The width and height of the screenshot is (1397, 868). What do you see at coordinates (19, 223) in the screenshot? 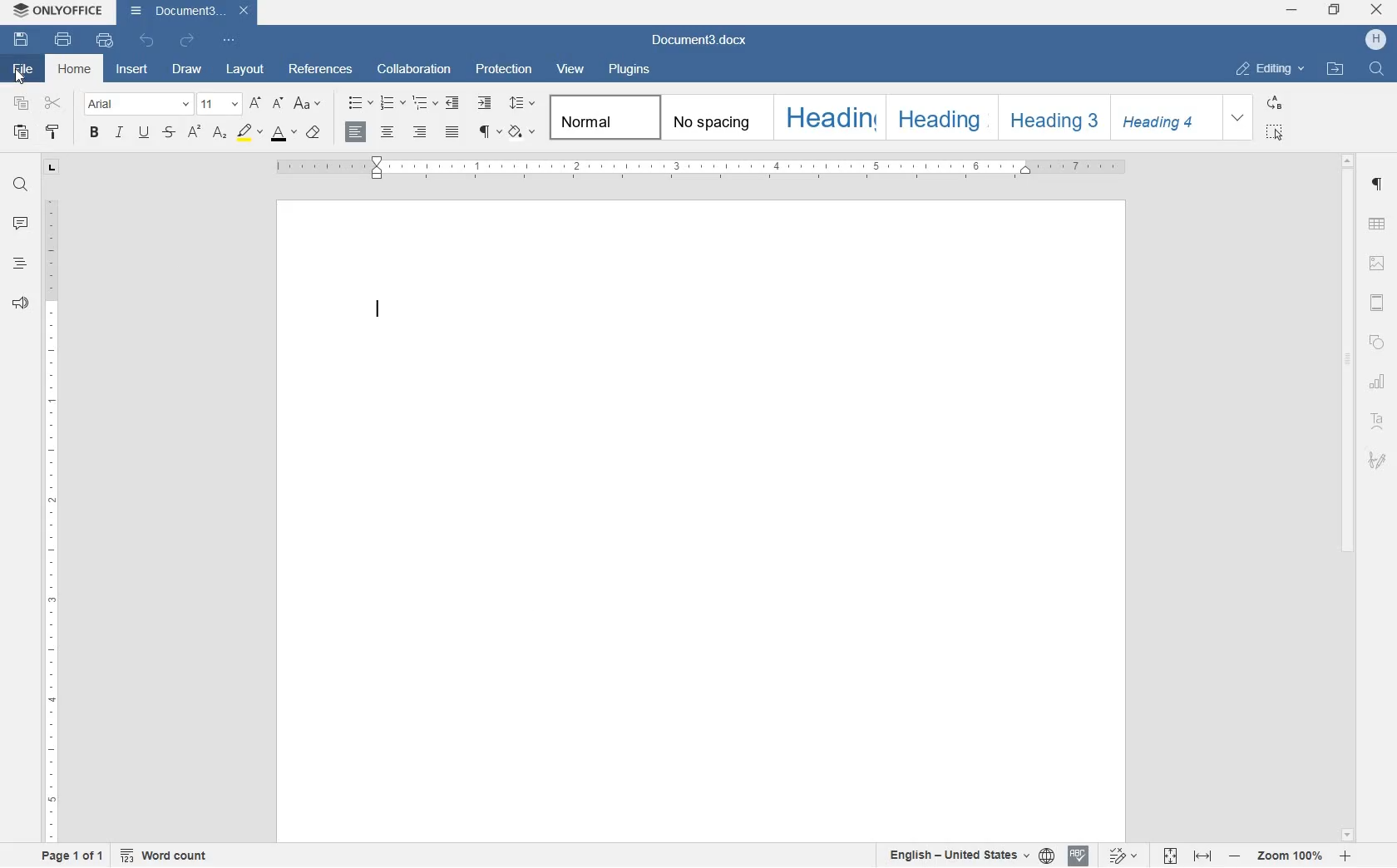
I see `comments` at bounding box center [19, 223].